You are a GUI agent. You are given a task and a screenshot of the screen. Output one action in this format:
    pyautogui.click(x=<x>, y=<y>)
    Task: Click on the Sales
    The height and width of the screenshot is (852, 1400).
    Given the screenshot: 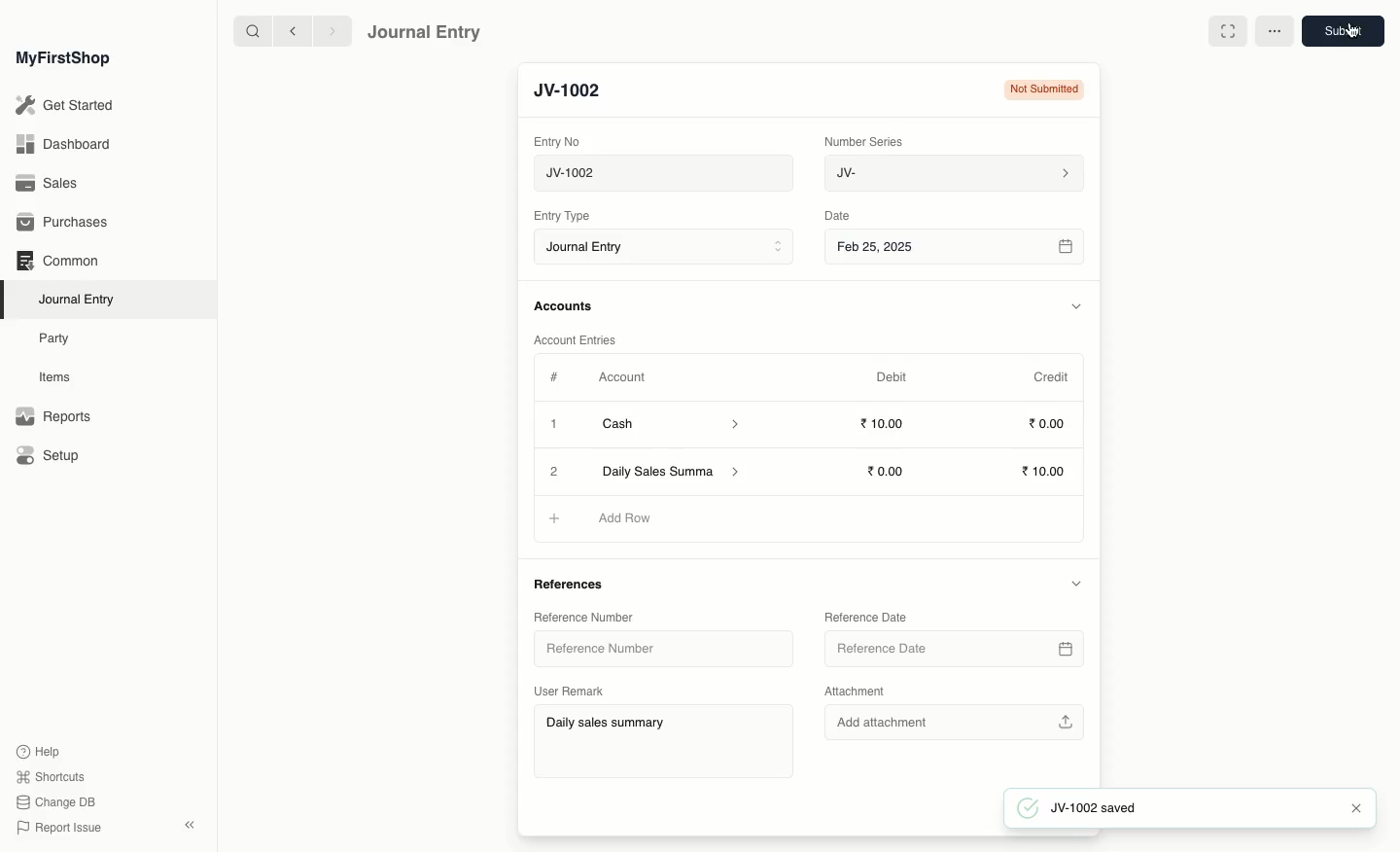 What is the action you would take?
    pyautogui.click(x=48, y=185)
    